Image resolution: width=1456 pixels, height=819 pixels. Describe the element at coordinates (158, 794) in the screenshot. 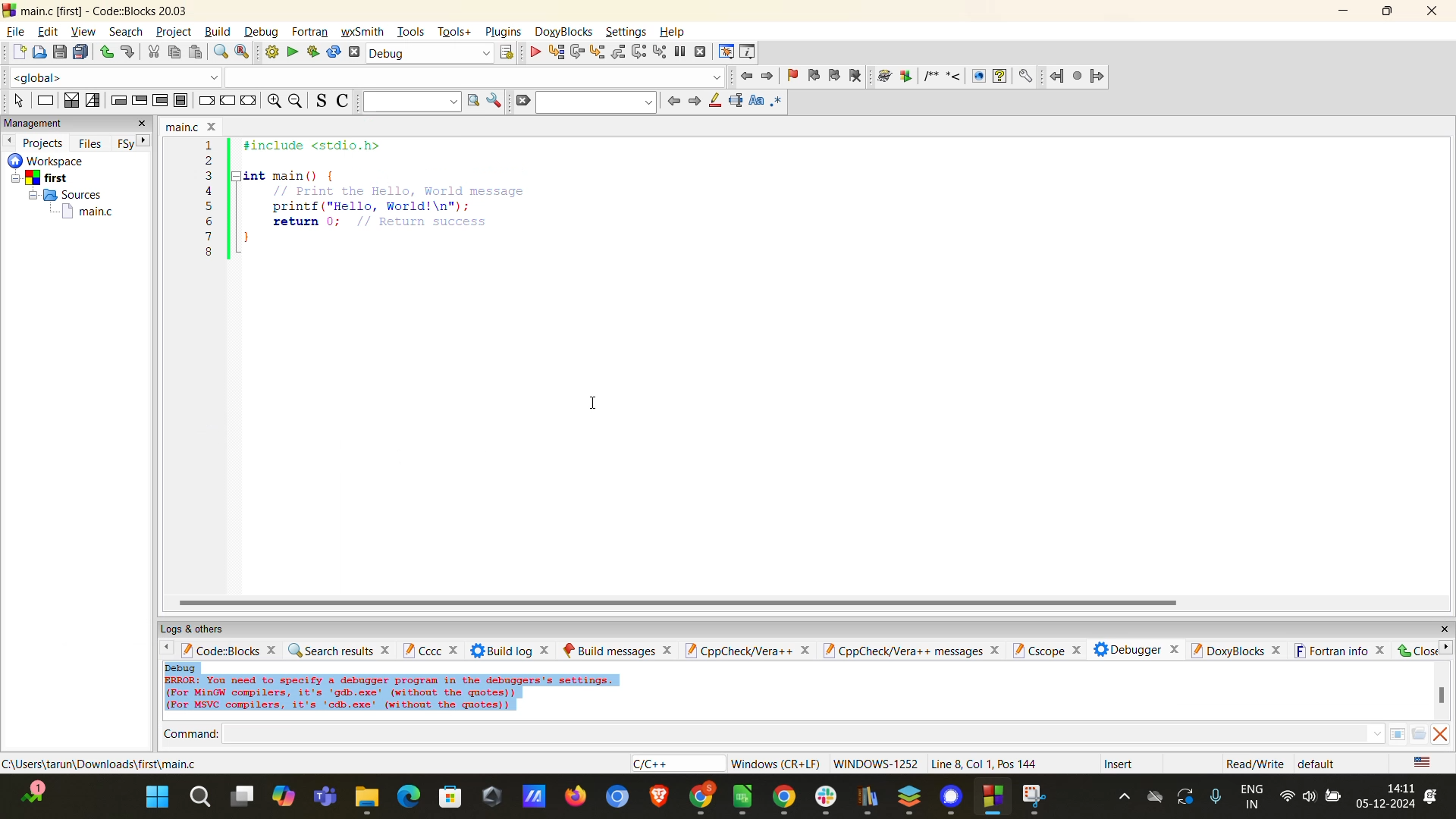

I see `start` at that location.